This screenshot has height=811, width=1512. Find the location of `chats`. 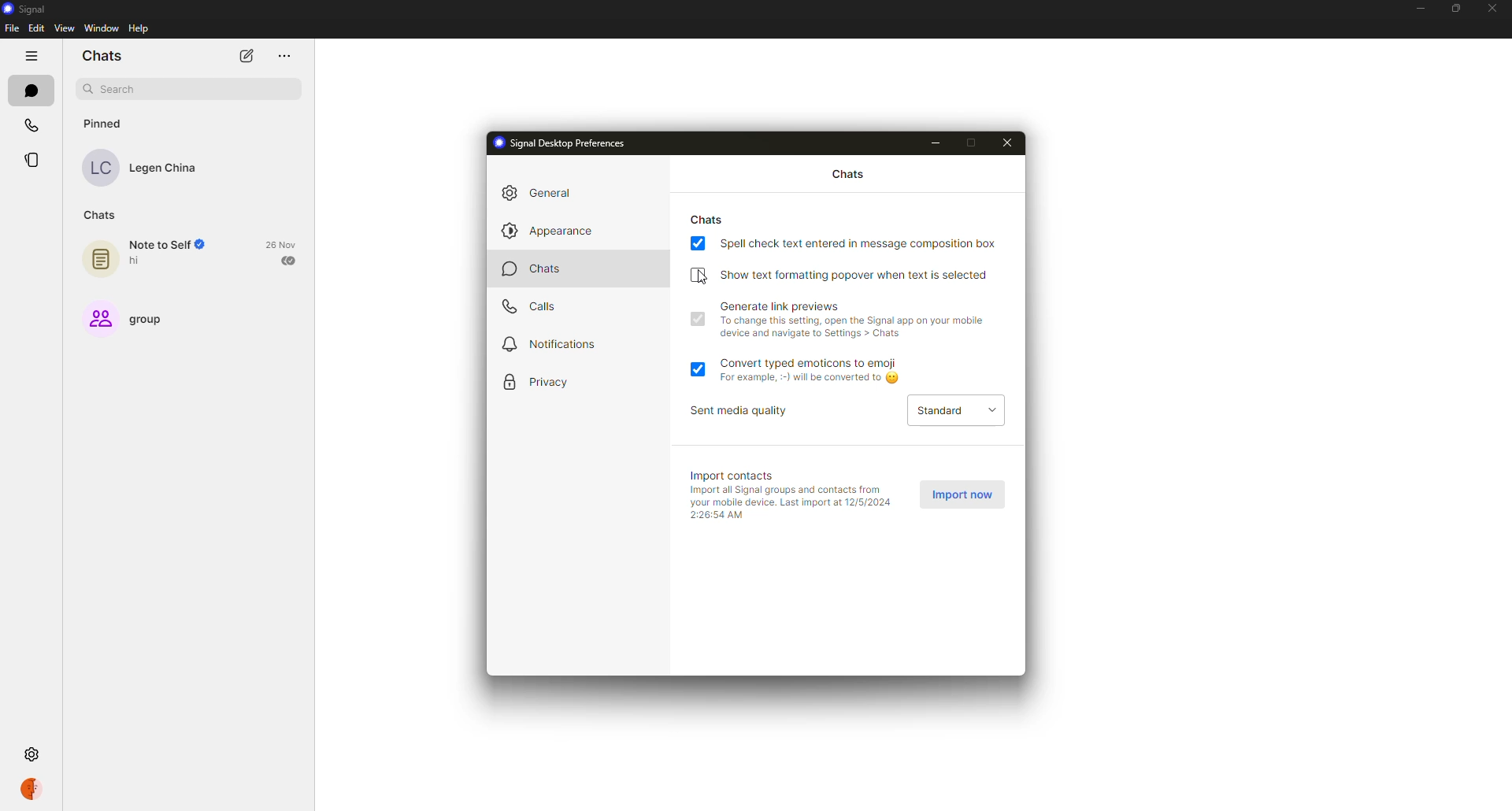

chats is located at coordinates (29, 90).